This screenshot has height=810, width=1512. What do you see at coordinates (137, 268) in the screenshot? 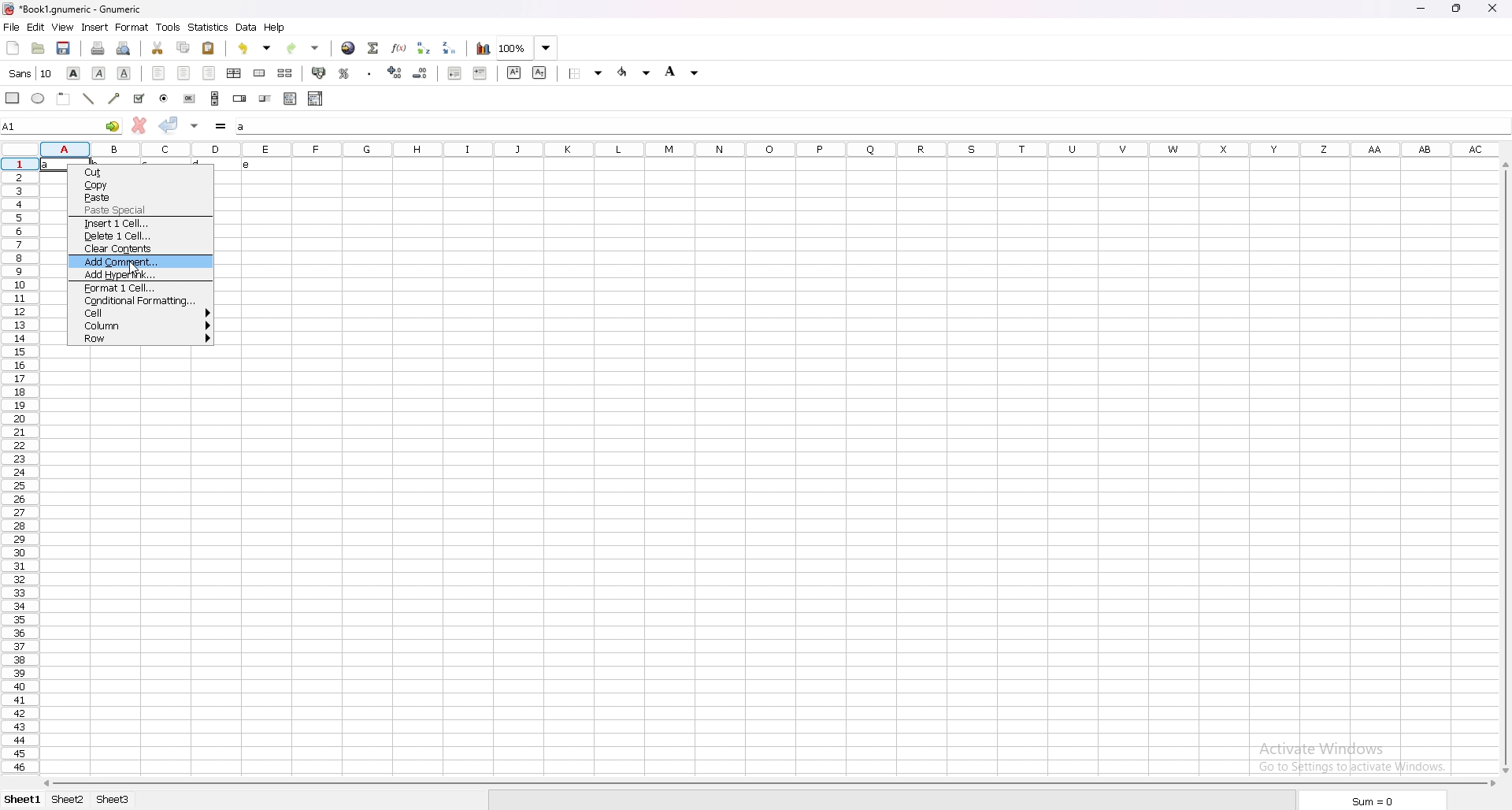
I see `cursor` at bounding box center [137, 268].